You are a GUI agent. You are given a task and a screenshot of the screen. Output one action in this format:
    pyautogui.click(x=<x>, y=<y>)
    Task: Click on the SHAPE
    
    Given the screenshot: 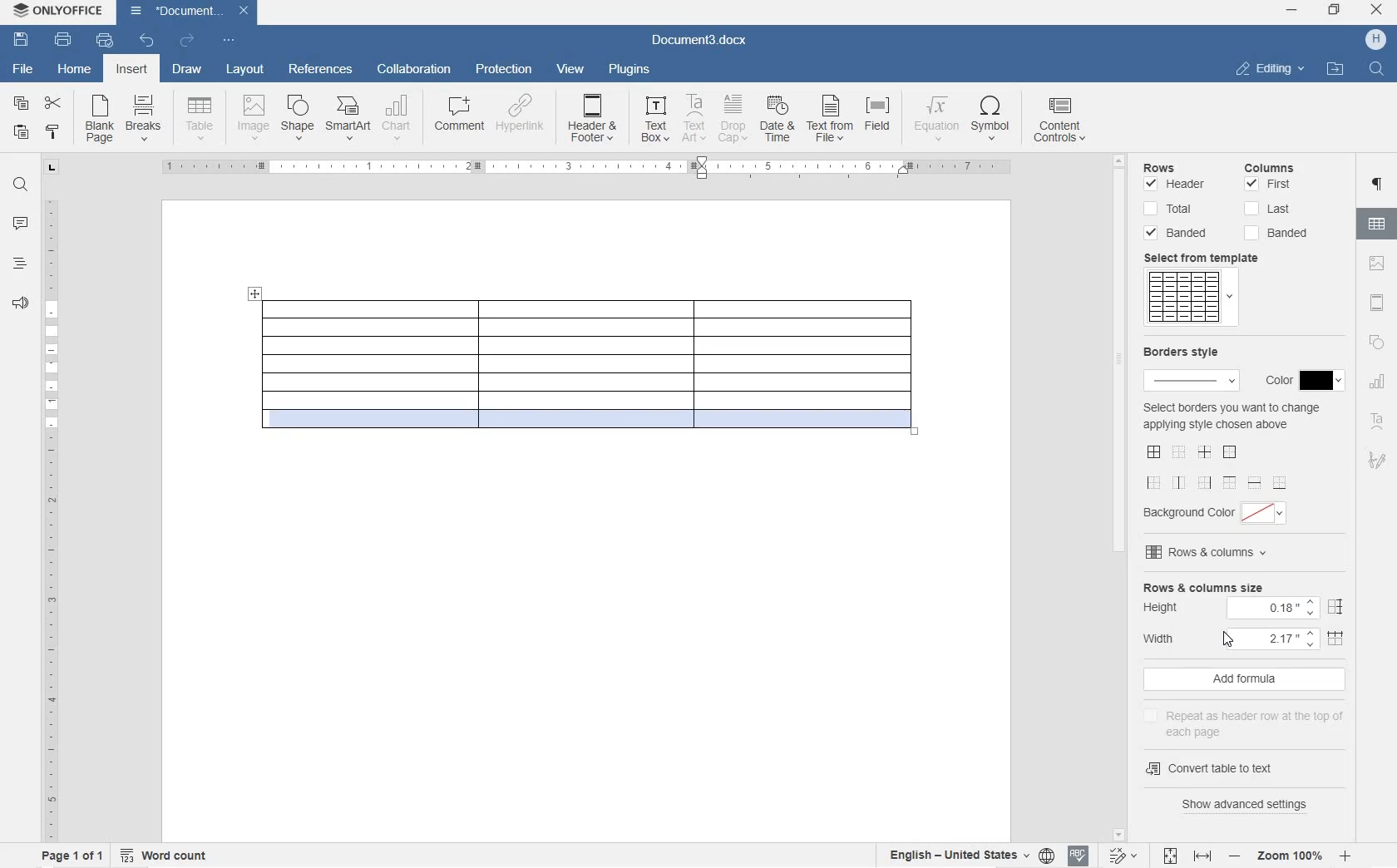 What is the action you would take?
    pyautogui.click(x=299, y=119)
    